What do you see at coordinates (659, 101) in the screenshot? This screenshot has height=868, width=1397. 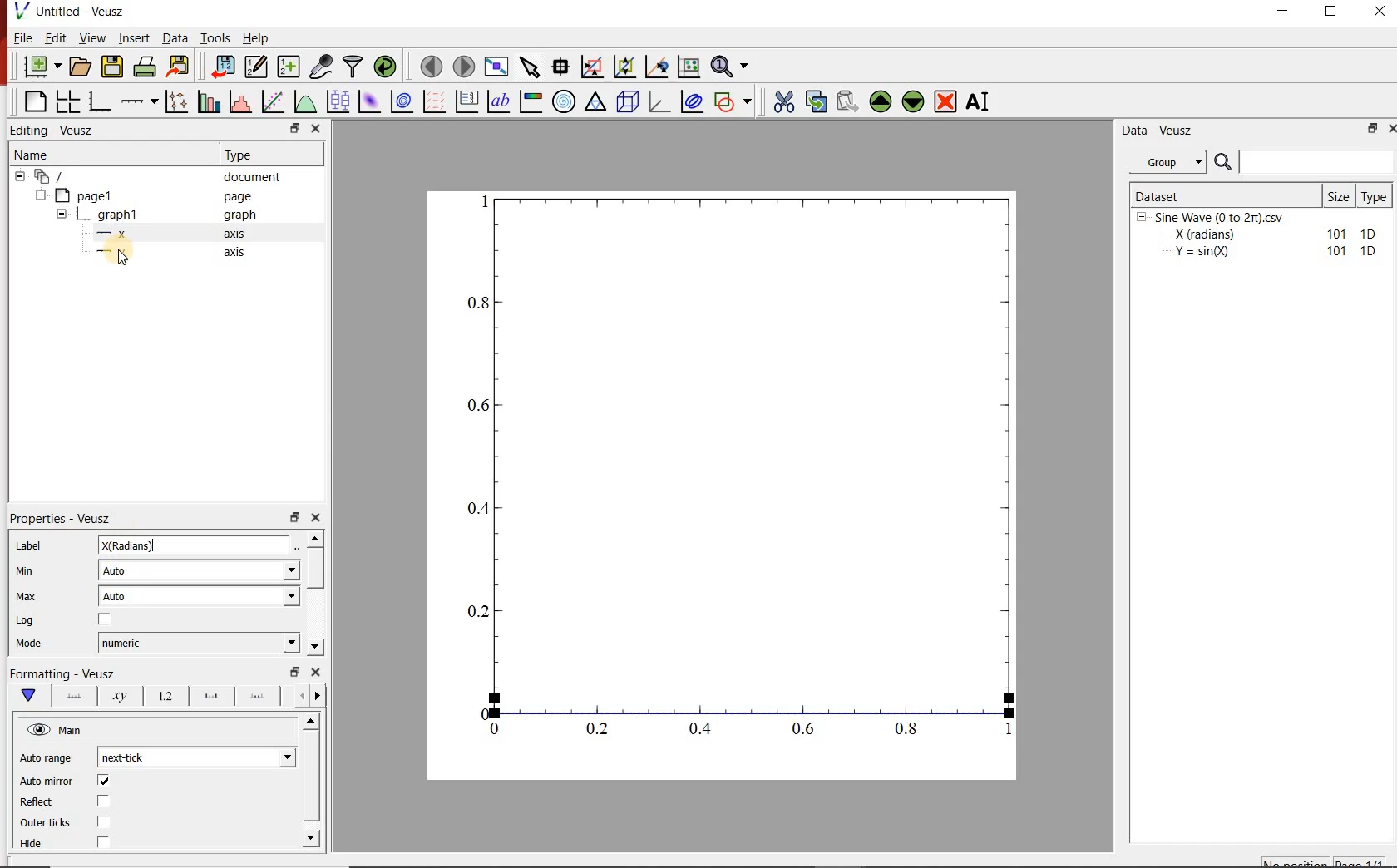 I see `3d graph` at bounding box center [659, 101].